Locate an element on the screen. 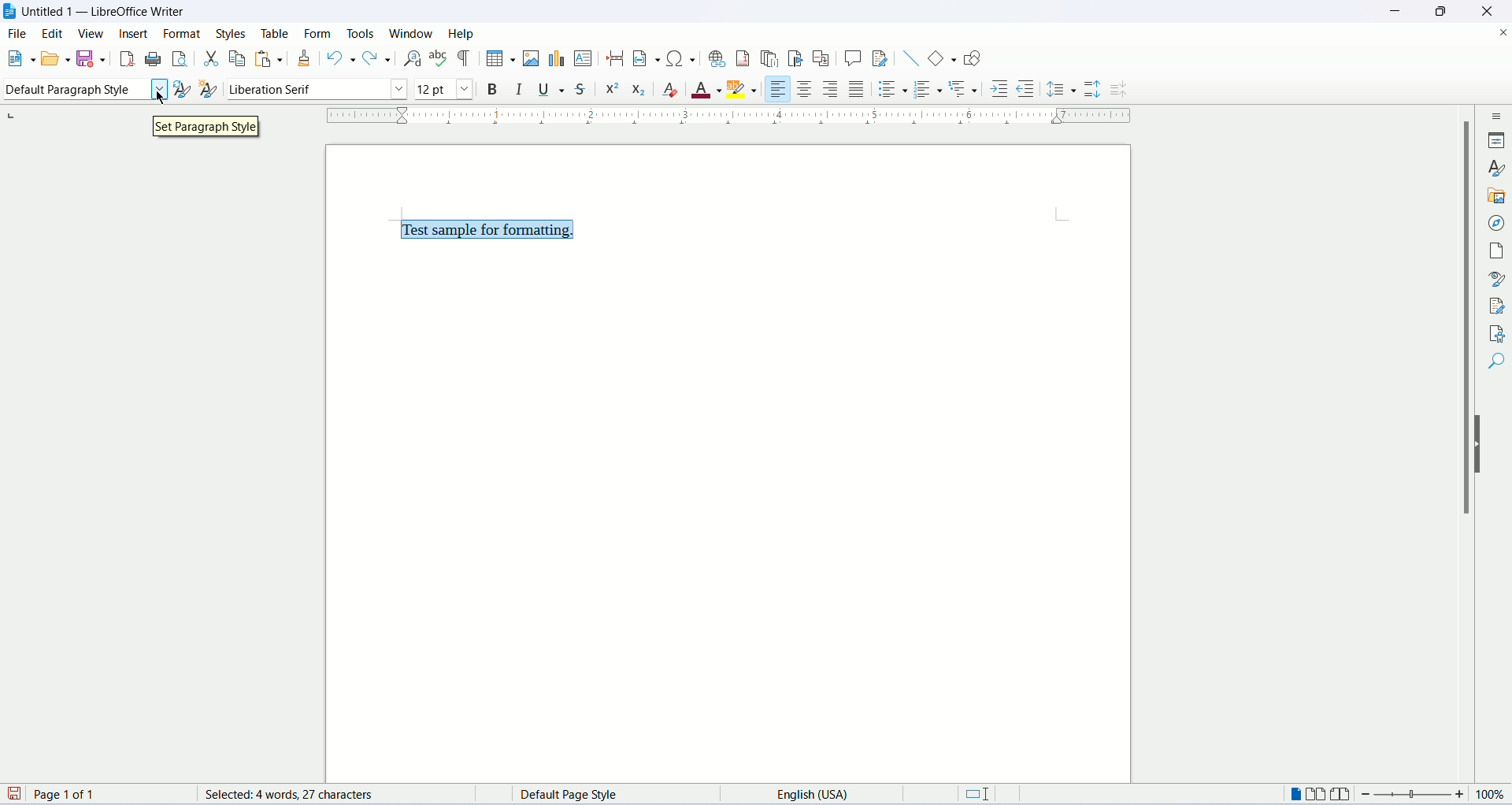  print preview is located at coordinates (180, 57).